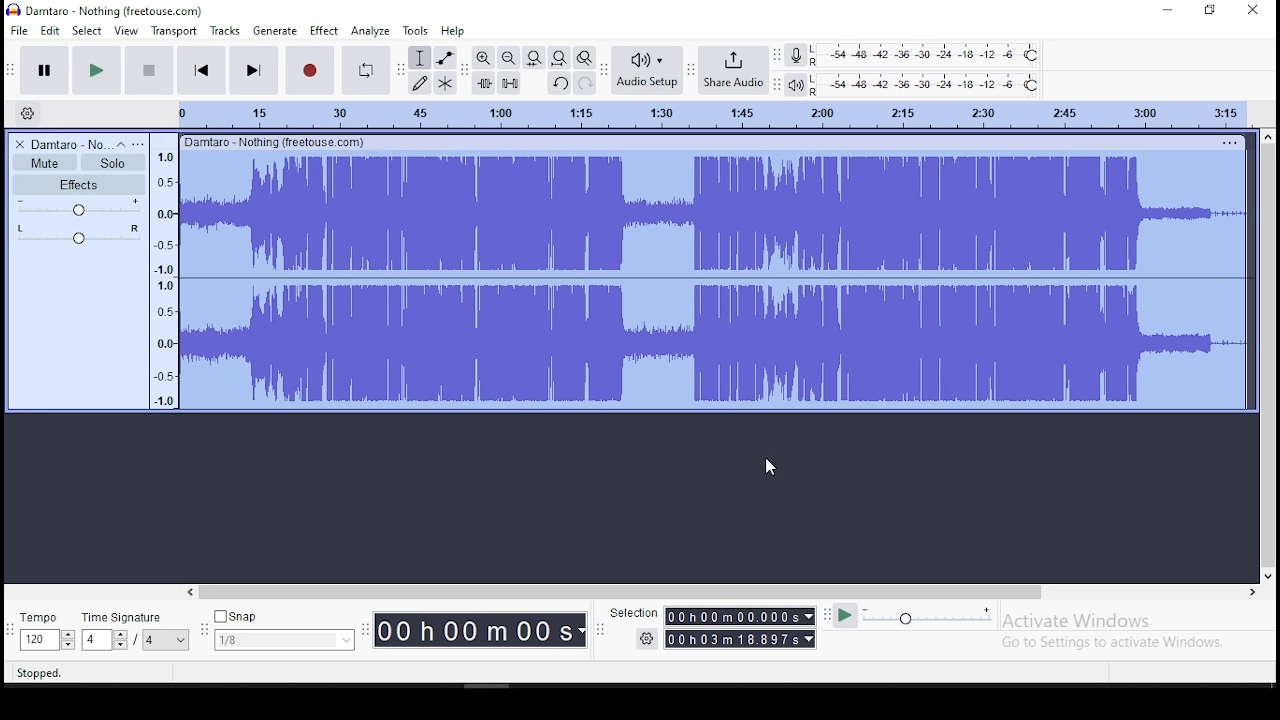 Image resolution: width=1280 pixels, height=720 pixels. What do you see at coordinates (631, 610) in the screenshot?
I see `selection` at bounding box center [631, 610].